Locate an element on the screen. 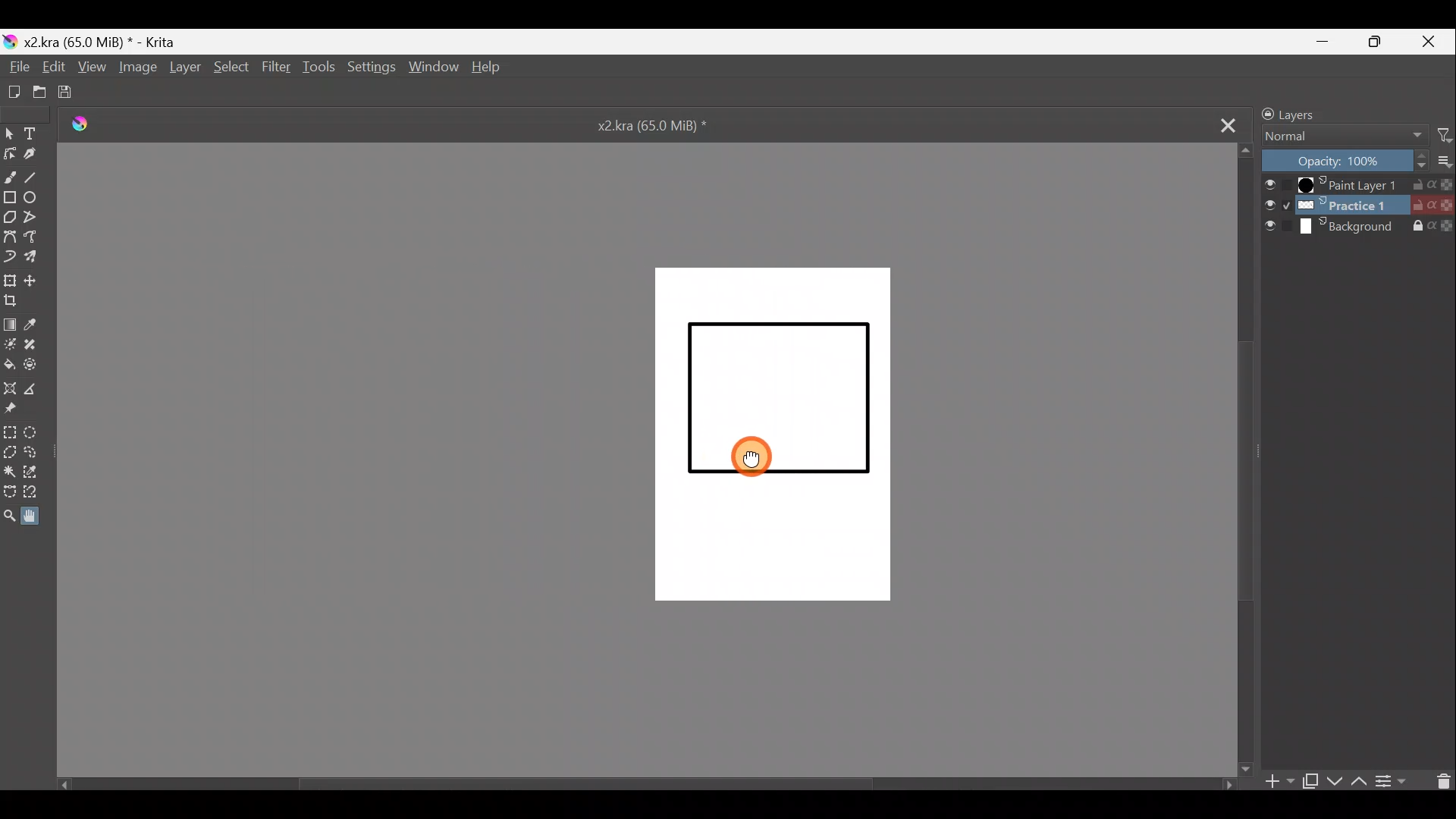  Paint Layer 1 is located at coordinates (1357, 187).